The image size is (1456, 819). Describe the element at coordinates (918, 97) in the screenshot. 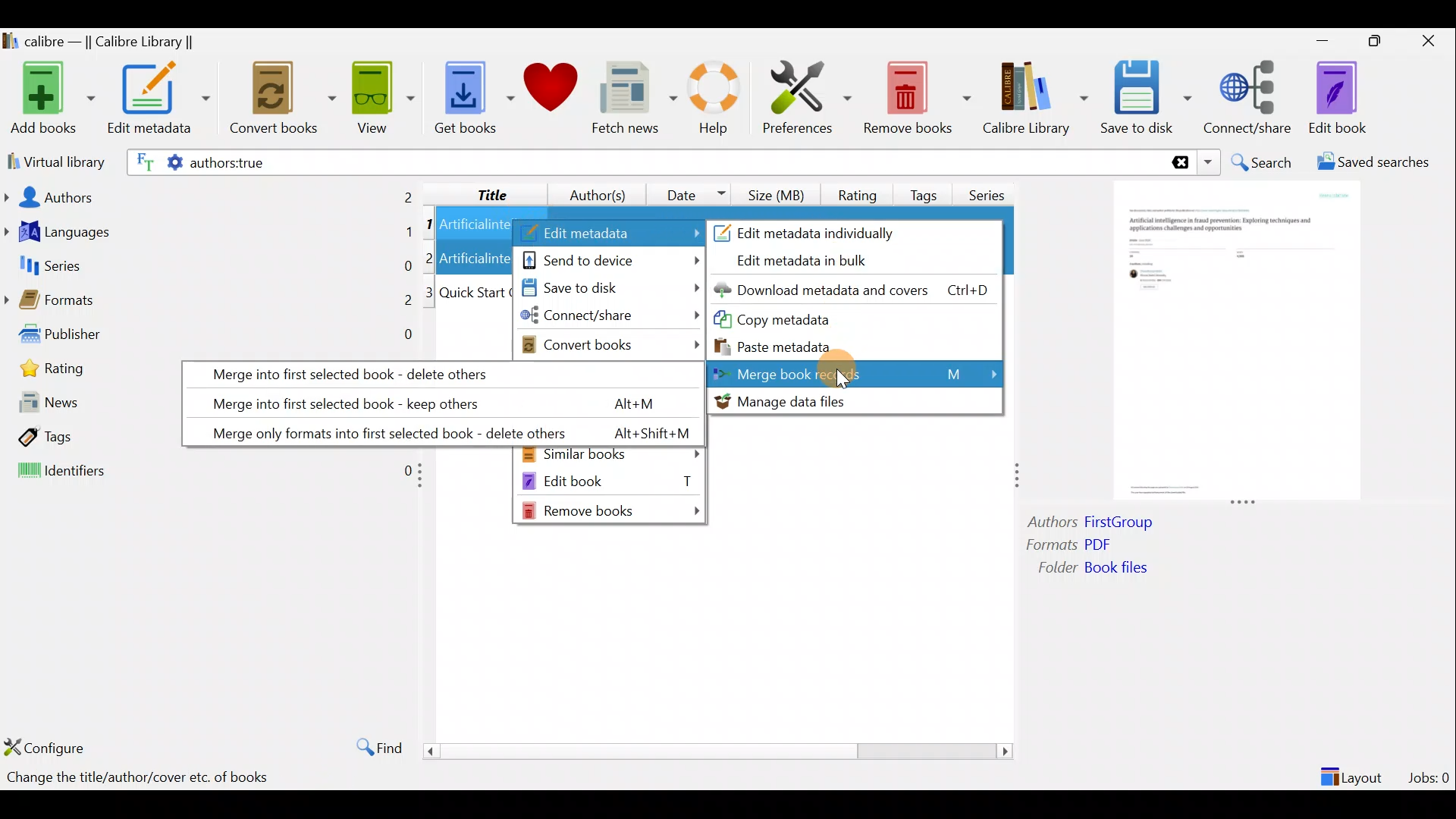

I see `Remove books` at that location.